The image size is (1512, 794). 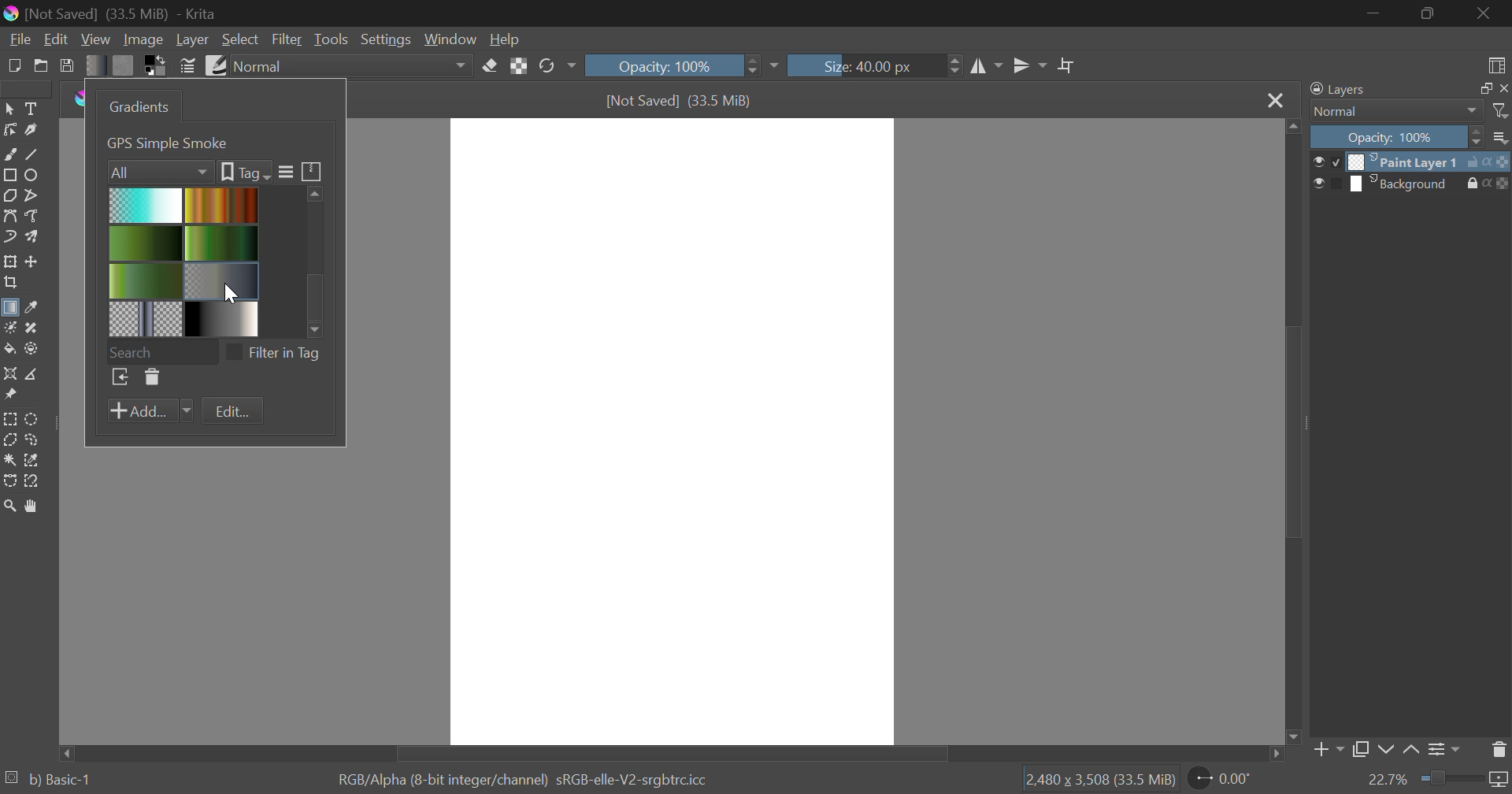 What do you see at coordinates (30, 130) in the screenshot?
I see `Calligraphic Line` at bounding box center [30, 130].